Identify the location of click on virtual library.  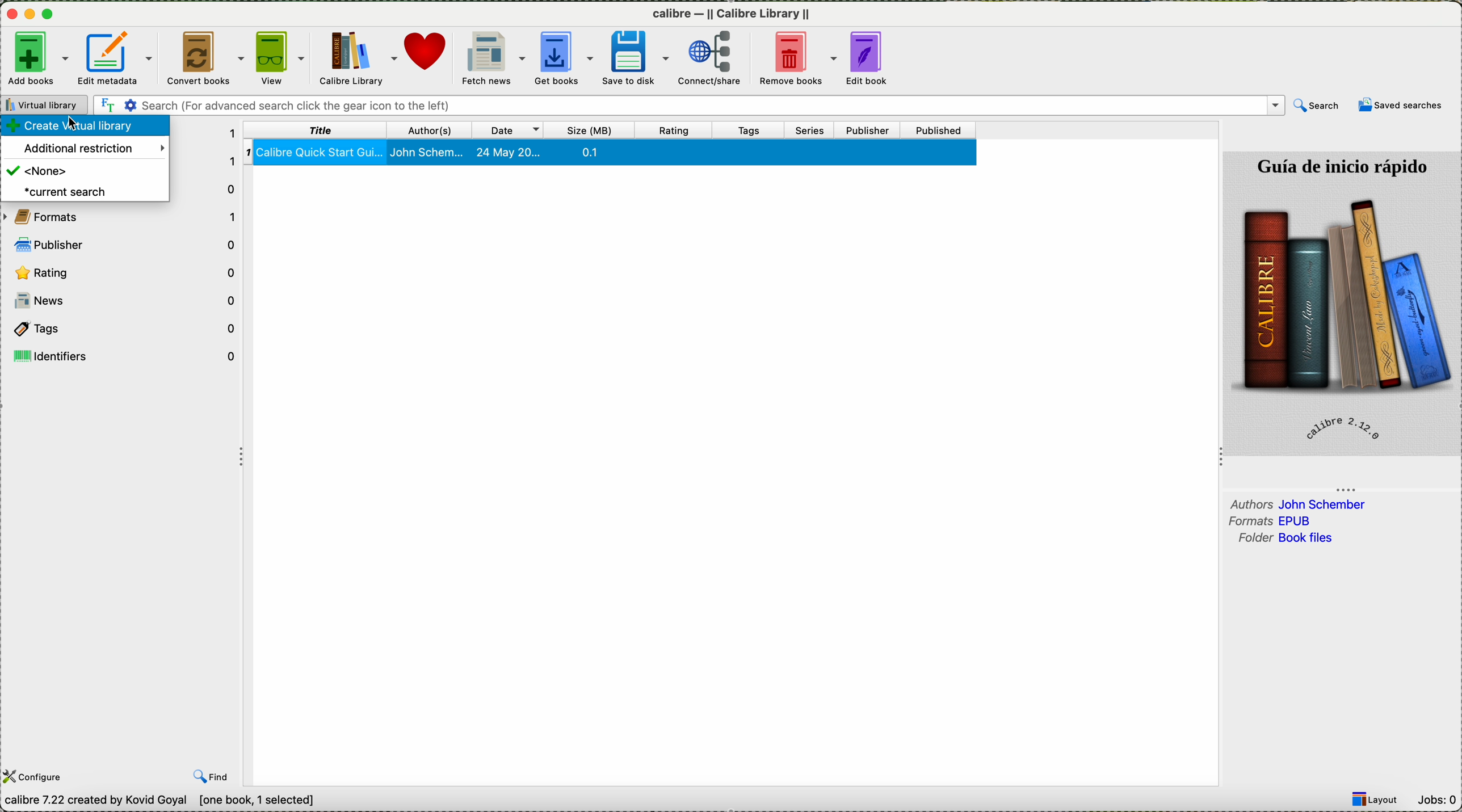
(44, 102).